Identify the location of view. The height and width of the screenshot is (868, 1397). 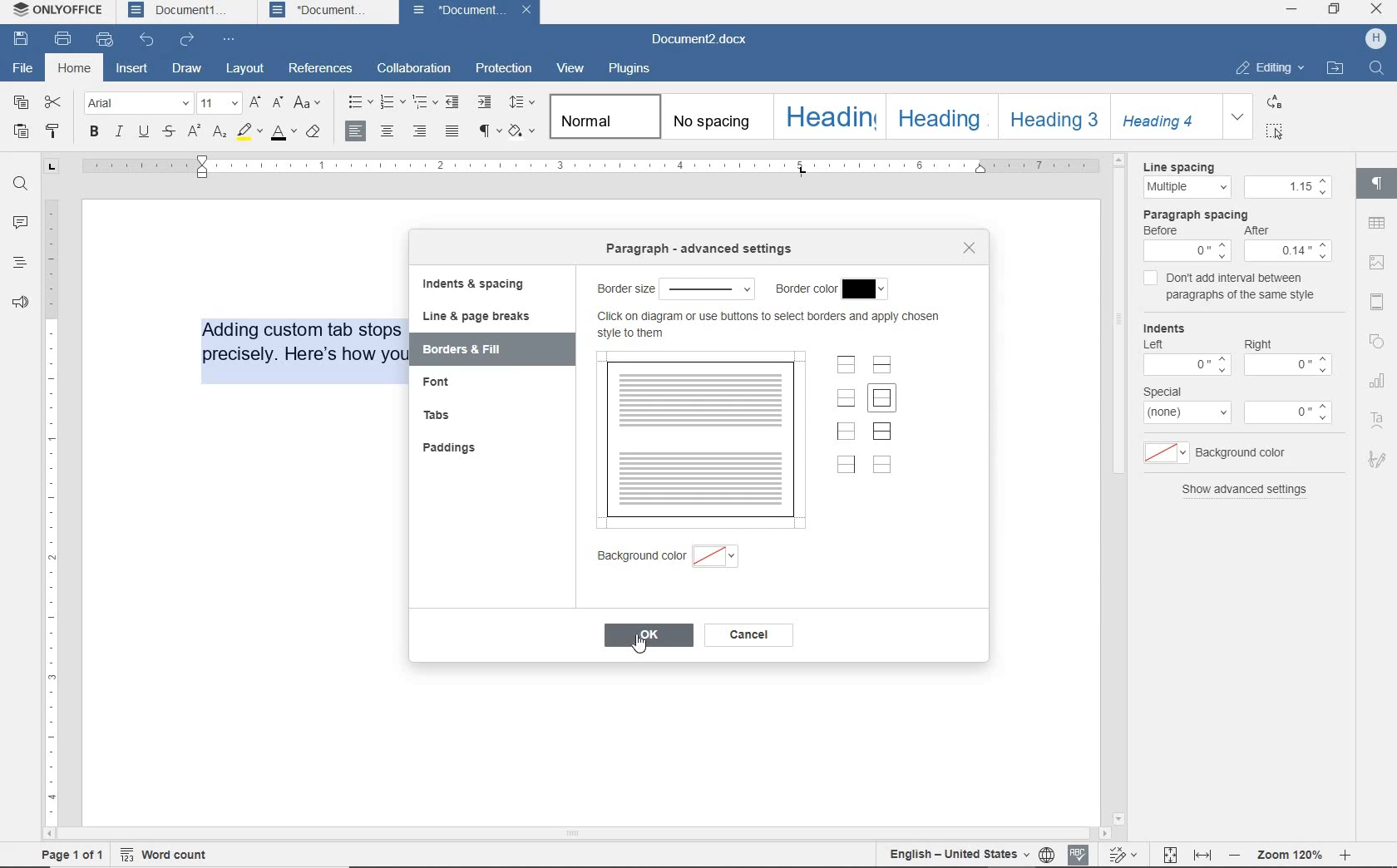
(568, 68).